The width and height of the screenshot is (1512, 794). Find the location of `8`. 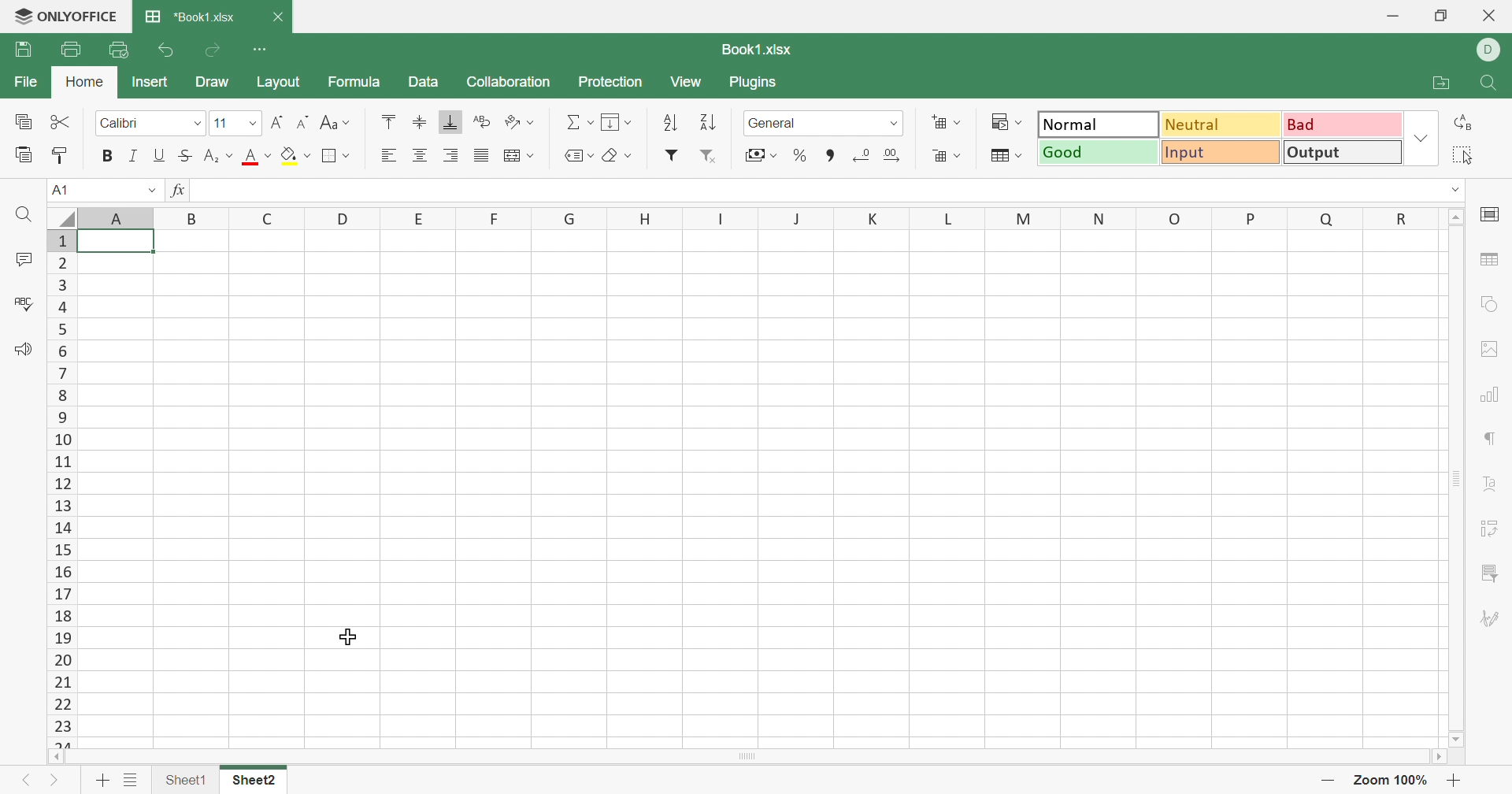

8 is located at coordinates (58, 397).